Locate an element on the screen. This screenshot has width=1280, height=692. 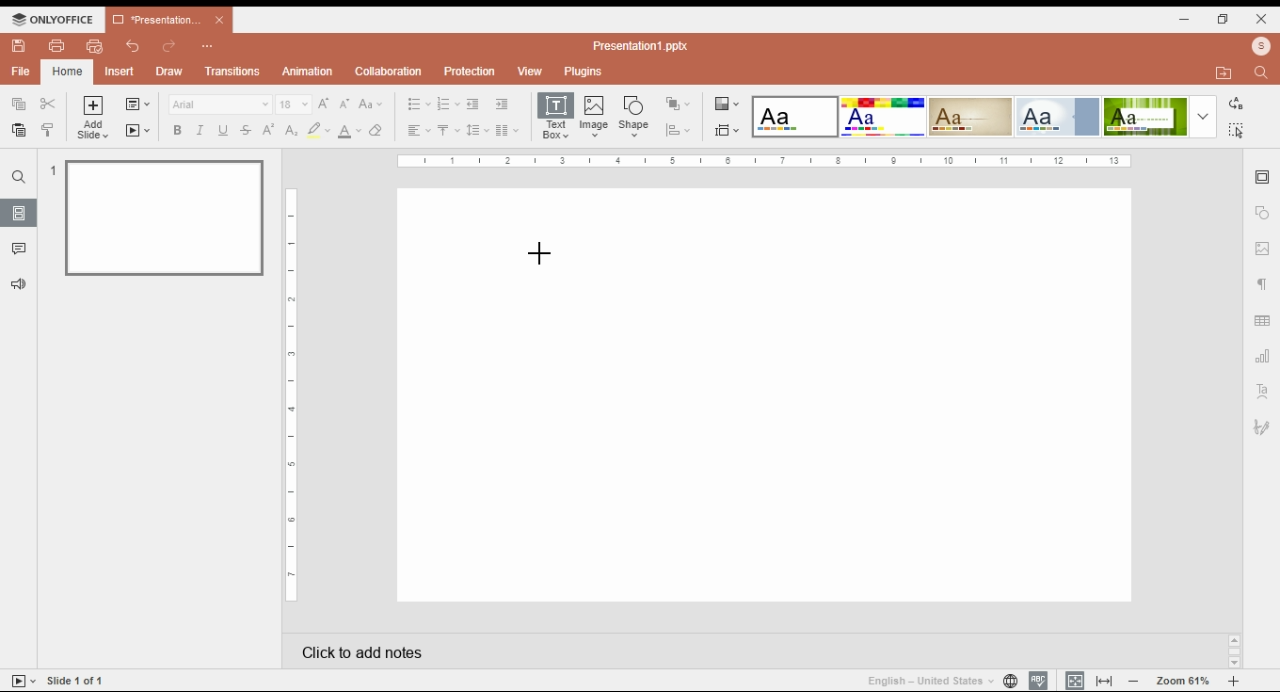
insert shape is located at coordinates (633, 115).